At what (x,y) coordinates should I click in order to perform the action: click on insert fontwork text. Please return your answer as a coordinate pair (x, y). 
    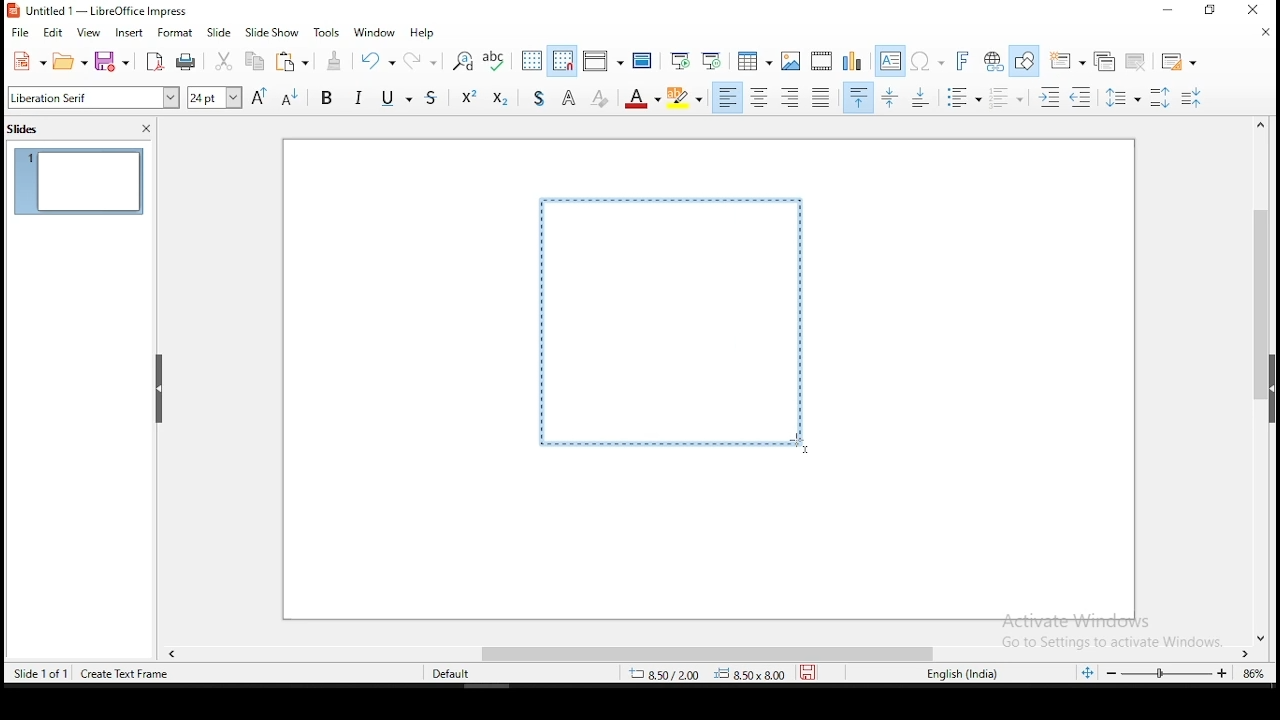
    Looking at the image, I should click on (962, 61).